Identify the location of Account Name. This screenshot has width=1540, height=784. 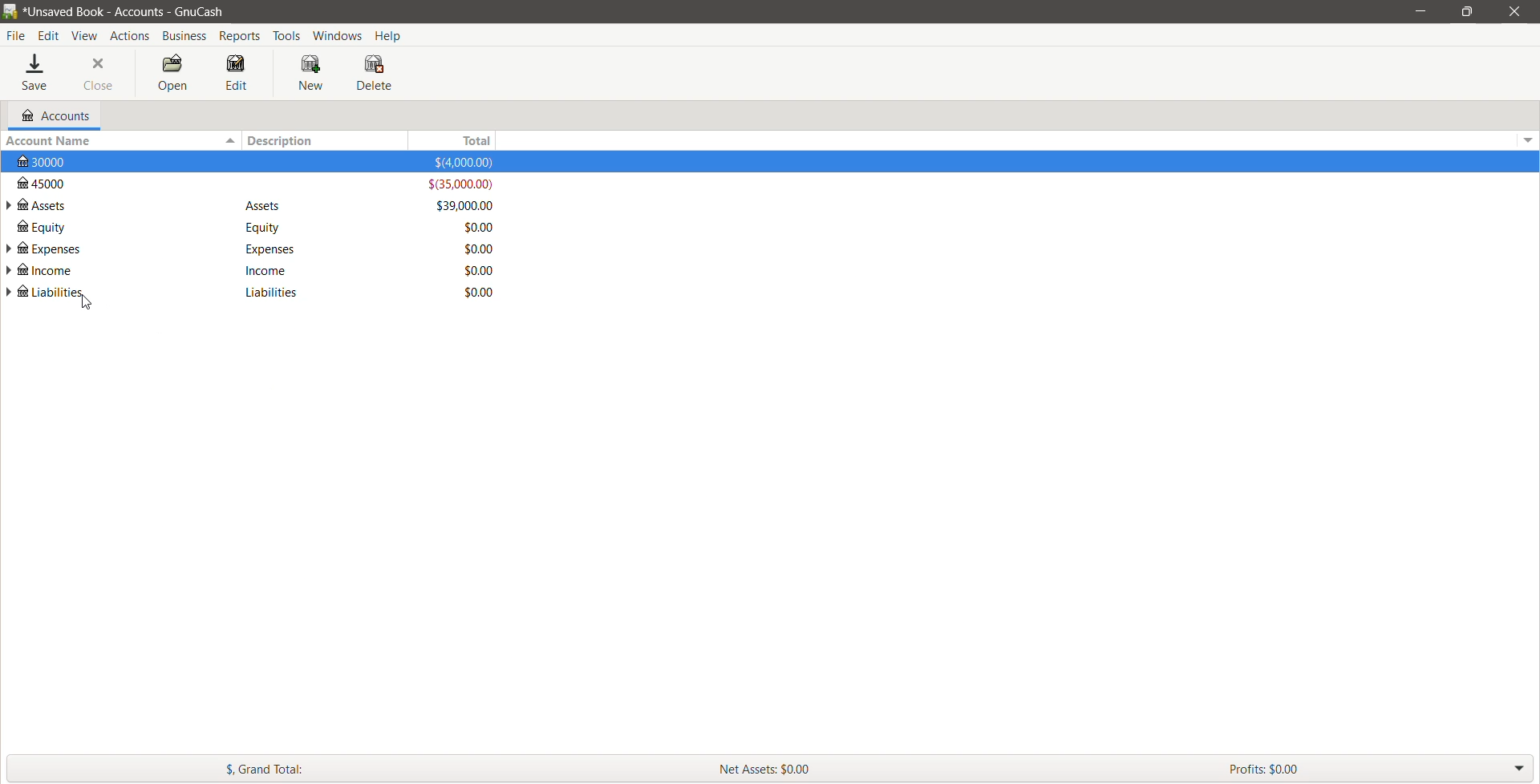
(120, 141).